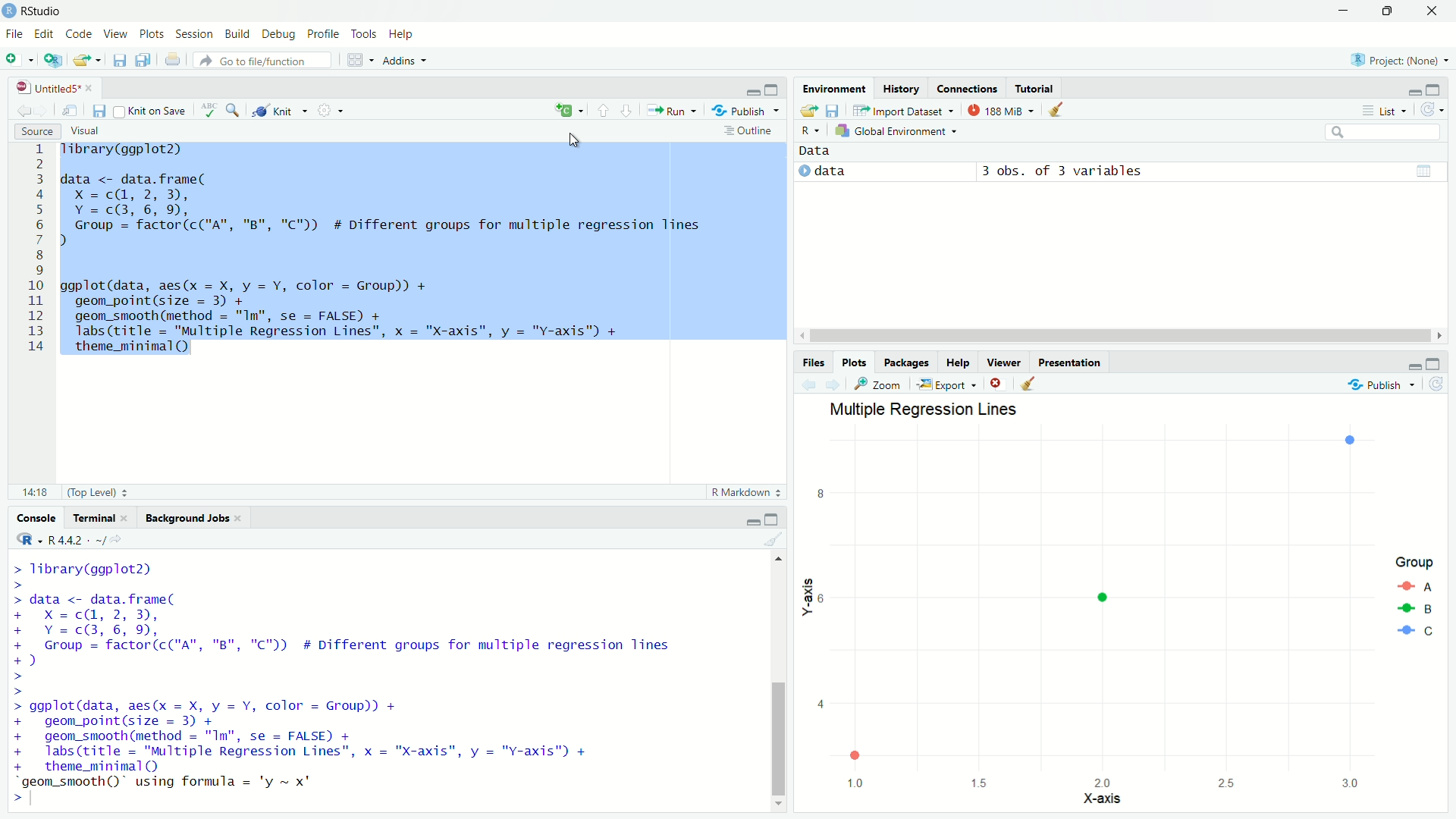 This screenshot has width=1456, height=819. Describe the element at coordinates (174, 62) in the screenshot. I see `print` at that location.